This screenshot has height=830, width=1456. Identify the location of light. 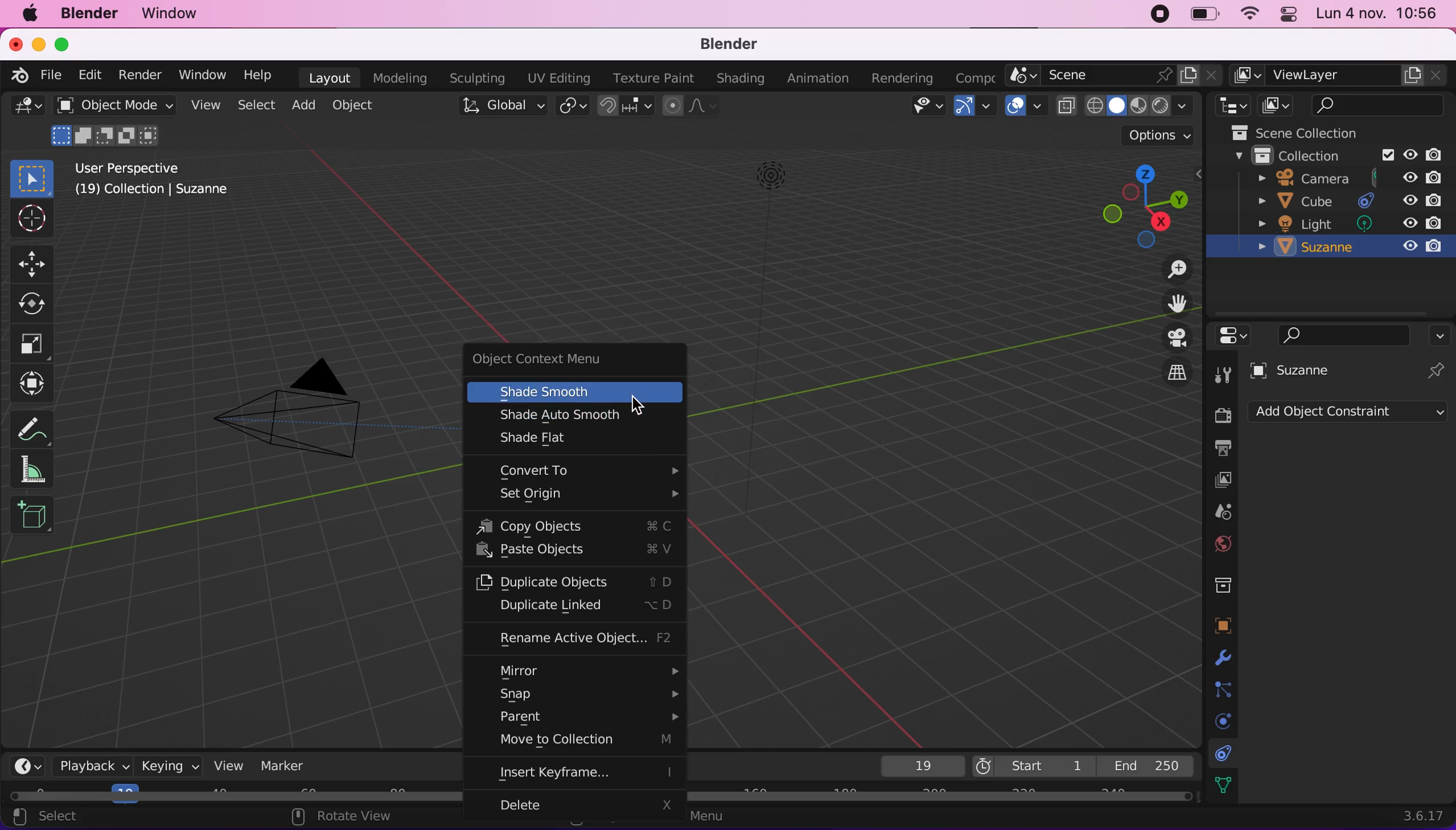
(1347, 223).